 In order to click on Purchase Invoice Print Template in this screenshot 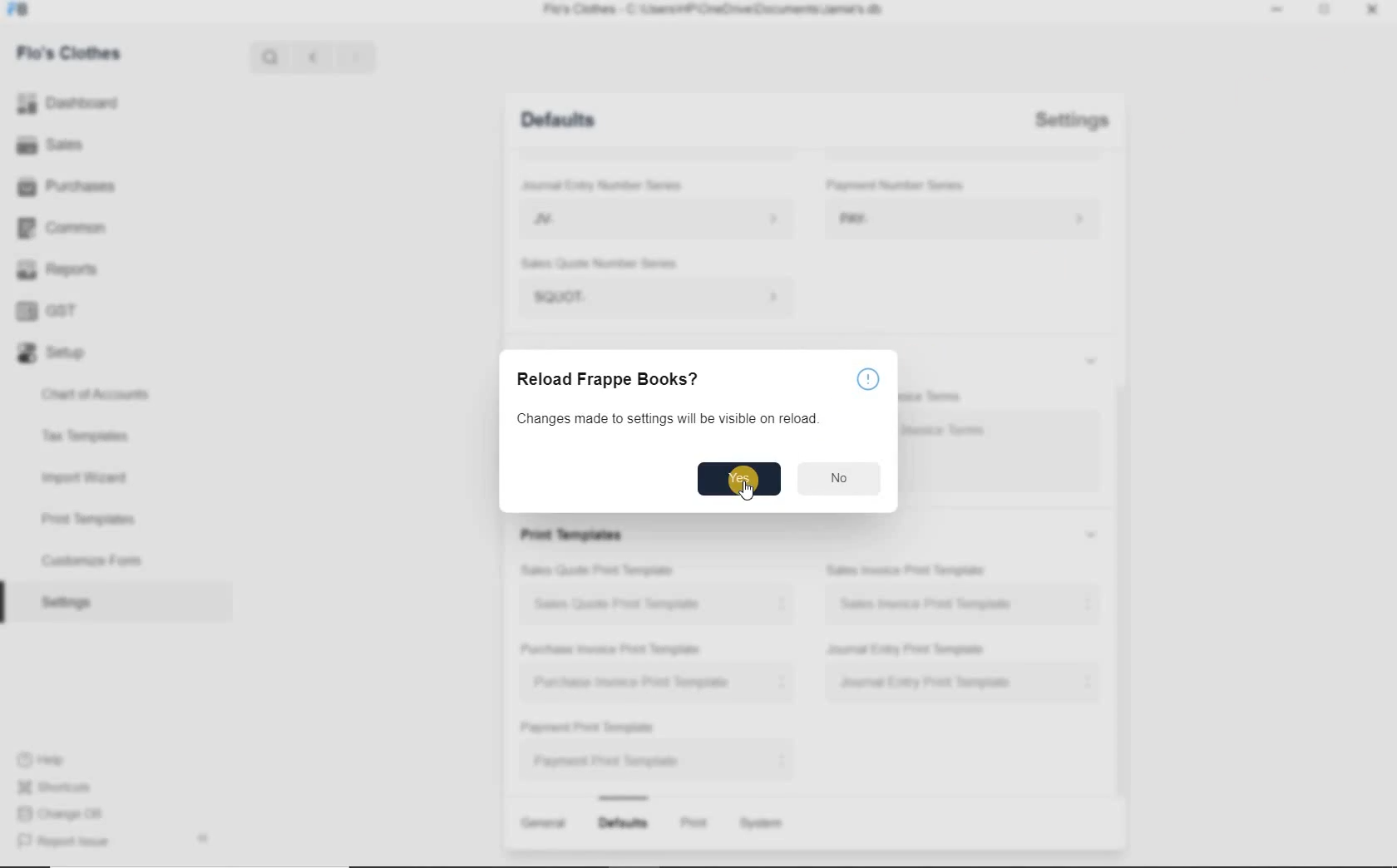, I will do `click(663, 683)`.